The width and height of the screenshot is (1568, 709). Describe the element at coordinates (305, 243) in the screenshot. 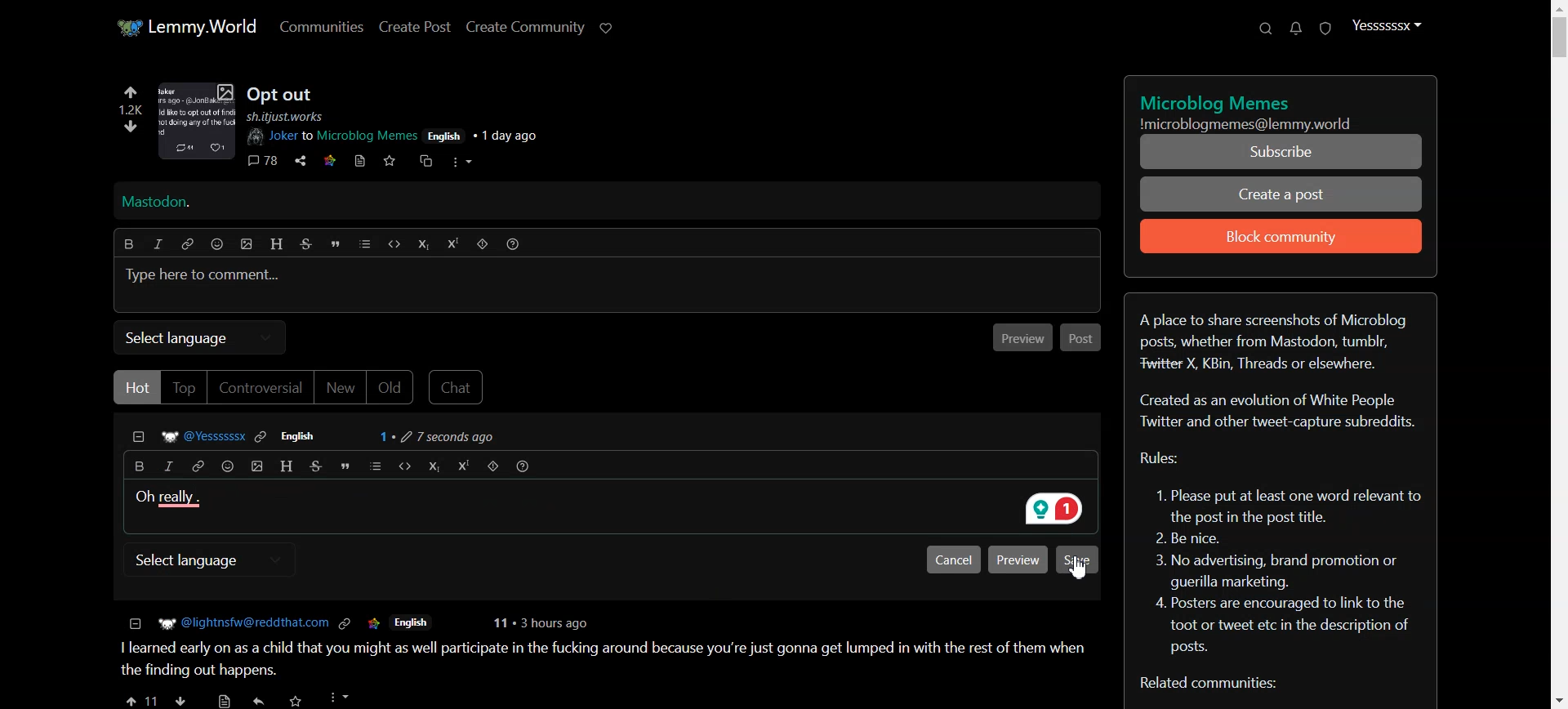

I see `Strikethrough` at that location.